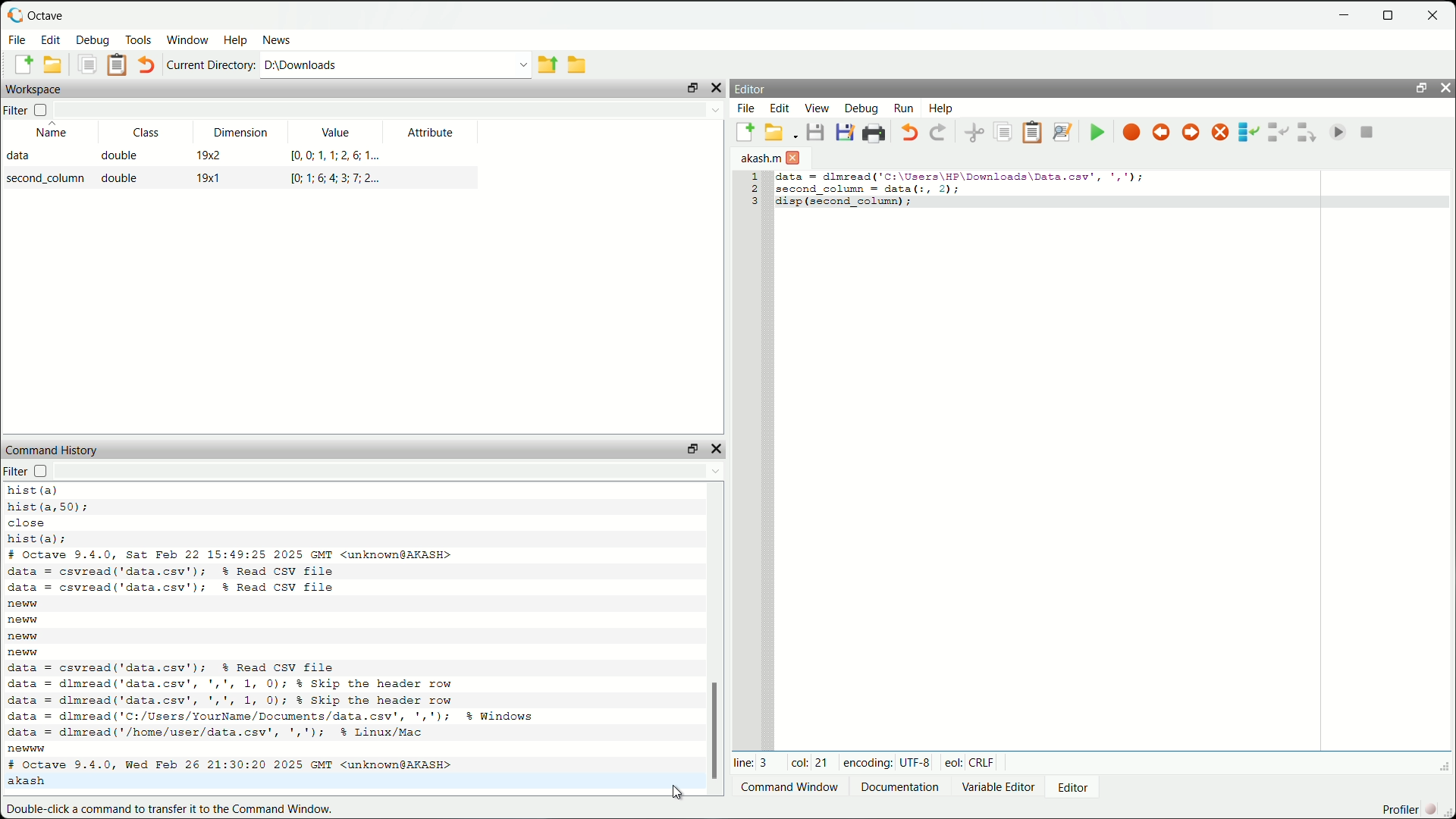 The image size is (1456, 819). I want to click on variable editor, so click(1000, 786).